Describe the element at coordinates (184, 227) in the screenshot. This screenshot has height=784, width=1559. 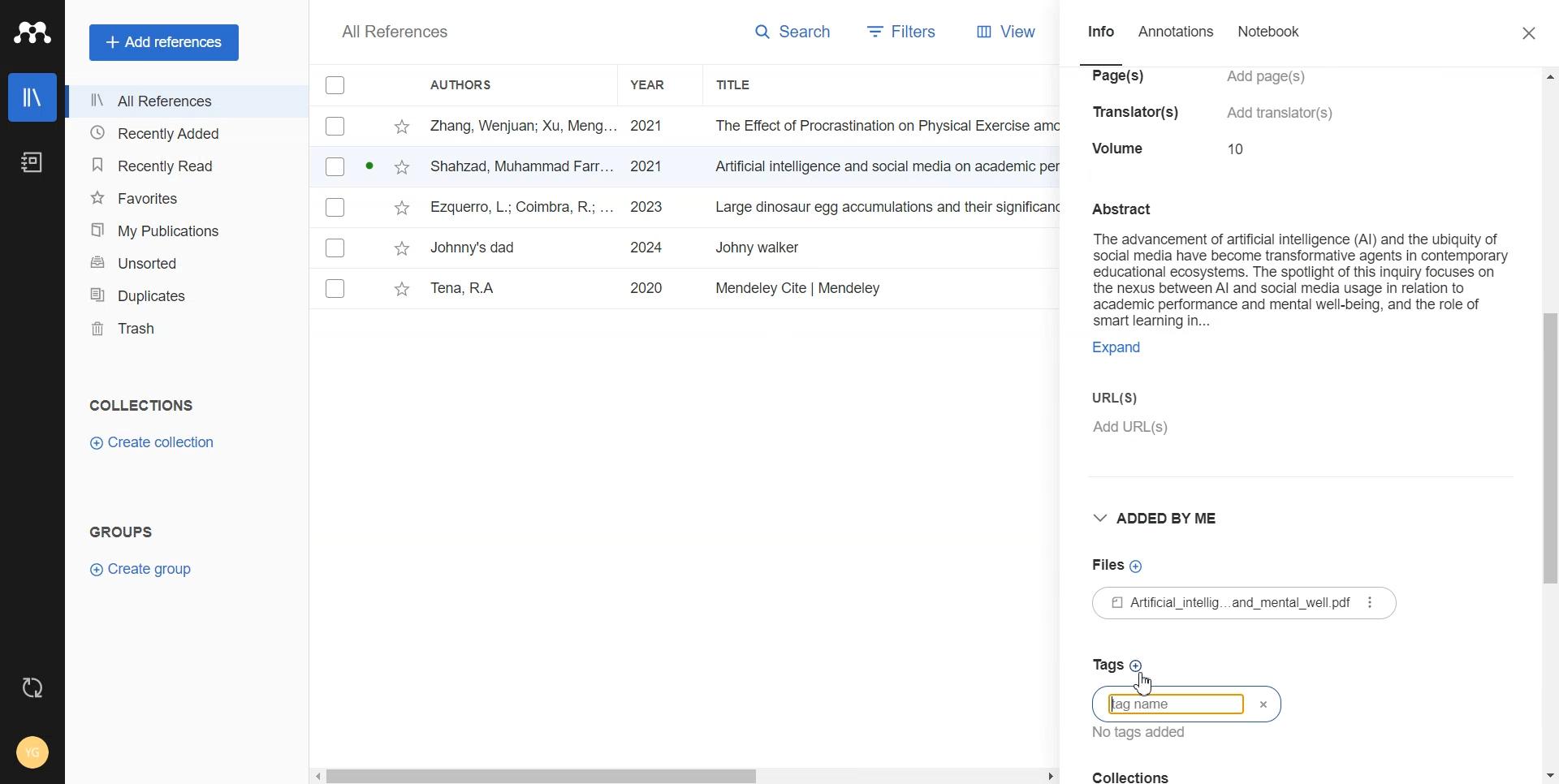
I see `My Publication` at that location.